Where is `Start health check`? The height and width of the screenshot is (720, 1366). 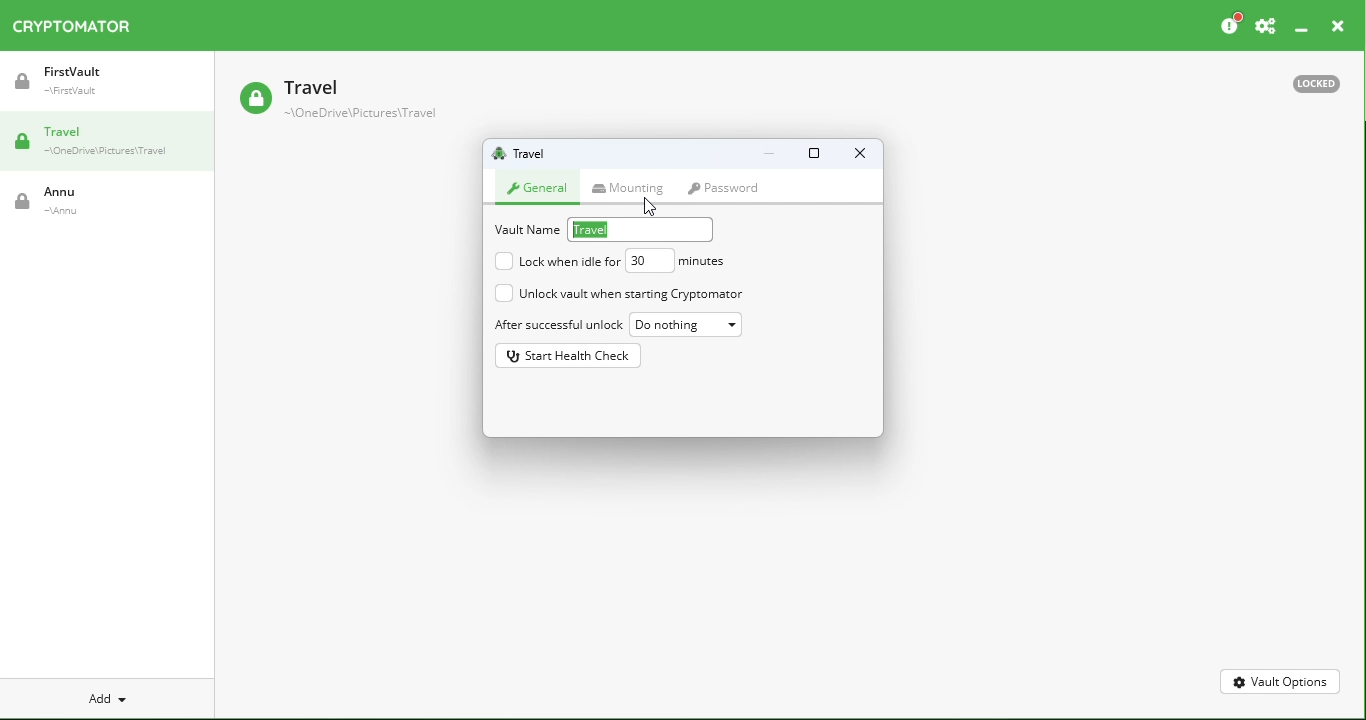
Start health check is located at coordinates (571, 355).